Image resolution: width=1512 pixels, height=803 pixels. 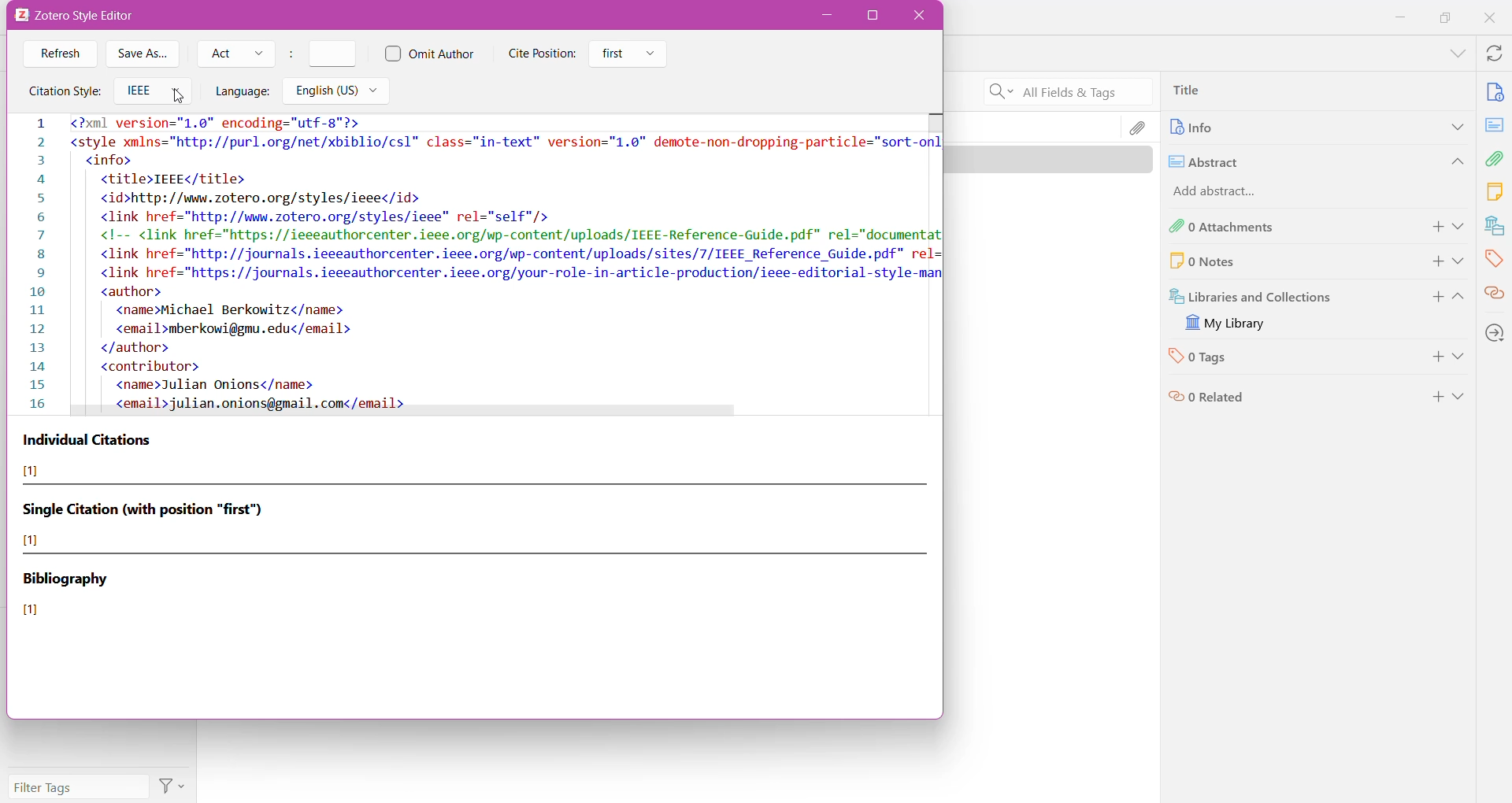 I want to click on Minimize, so click(x=828, y=16).